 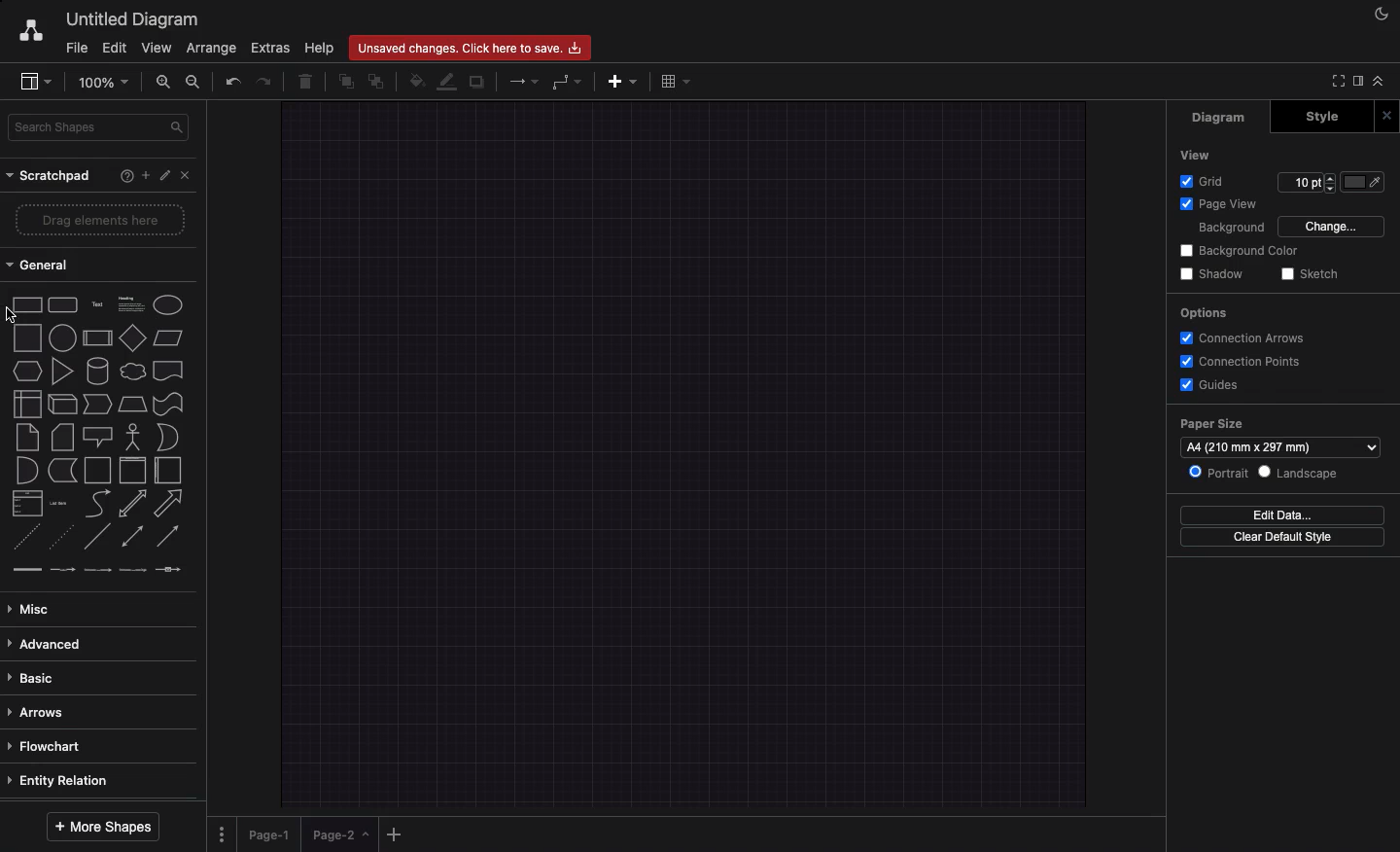 What do you see at coordinates (1356, 80) in the screenshot?
I see `Sidebar` at bounding box center [1356, 80].